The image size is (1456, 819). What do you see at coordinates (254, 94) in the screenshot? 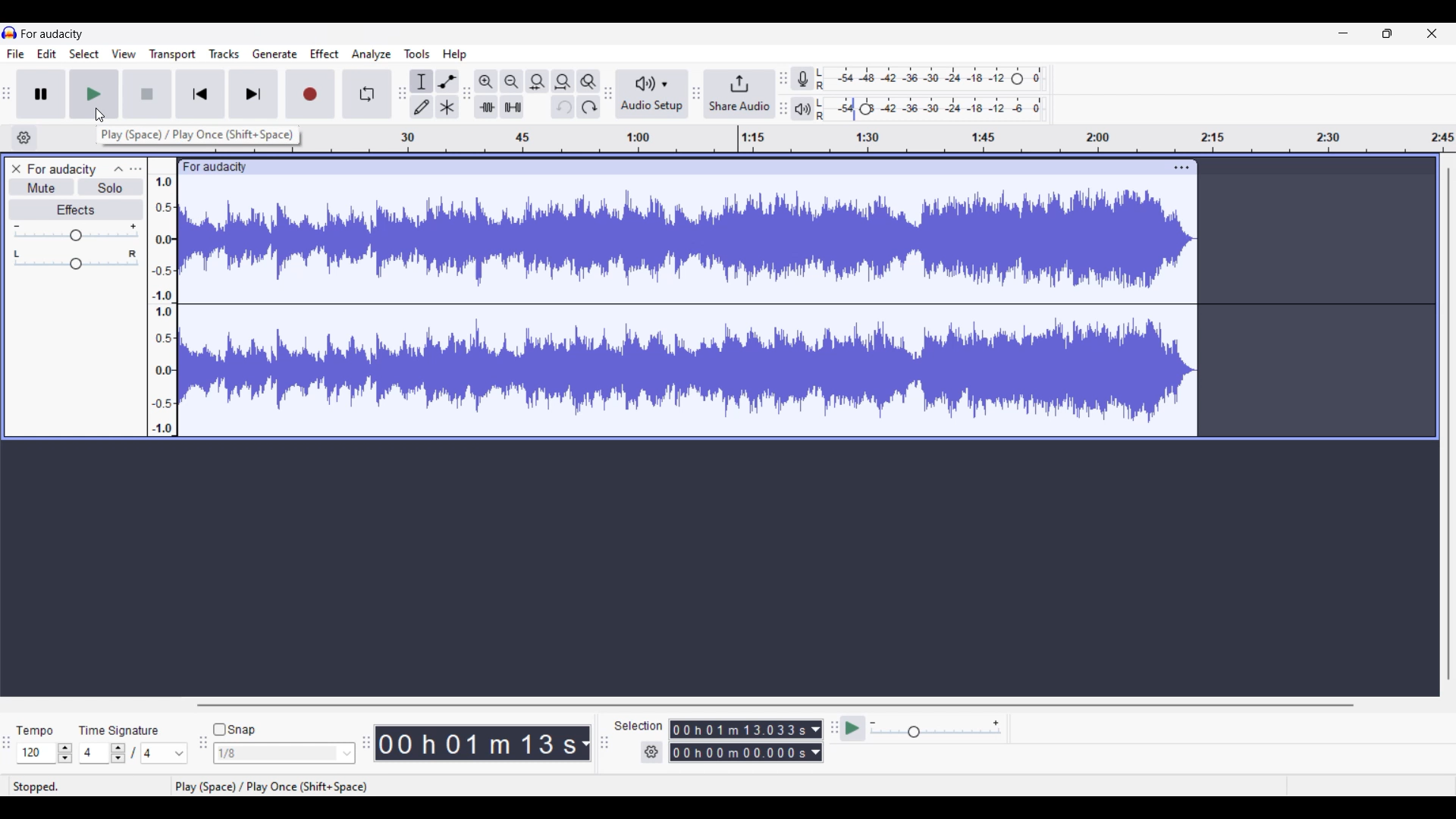
I see `Skip/Select to end` at bounding box center [254, 94].